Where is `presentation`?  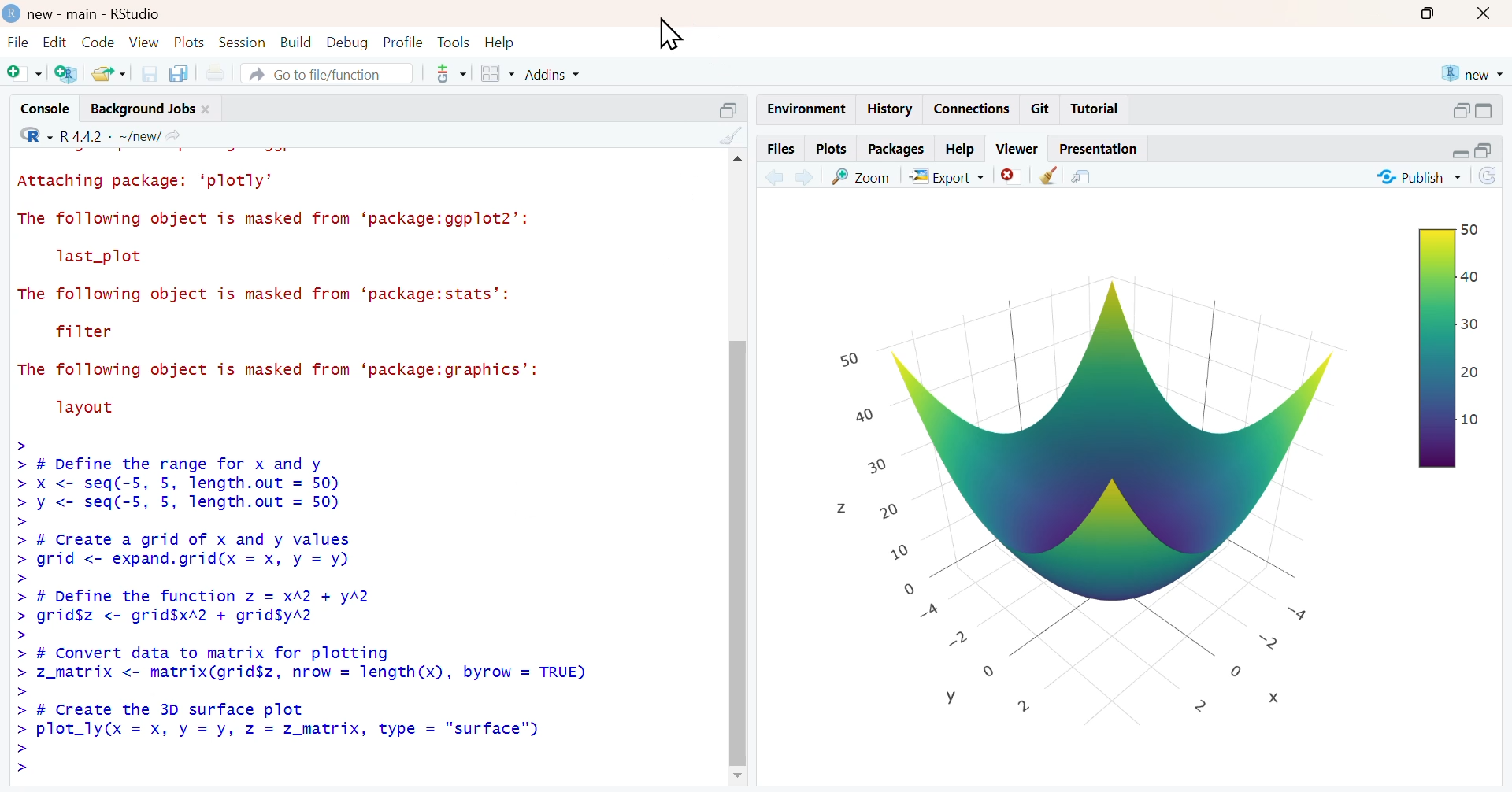 presentation is located at coordinates (1101, 149).